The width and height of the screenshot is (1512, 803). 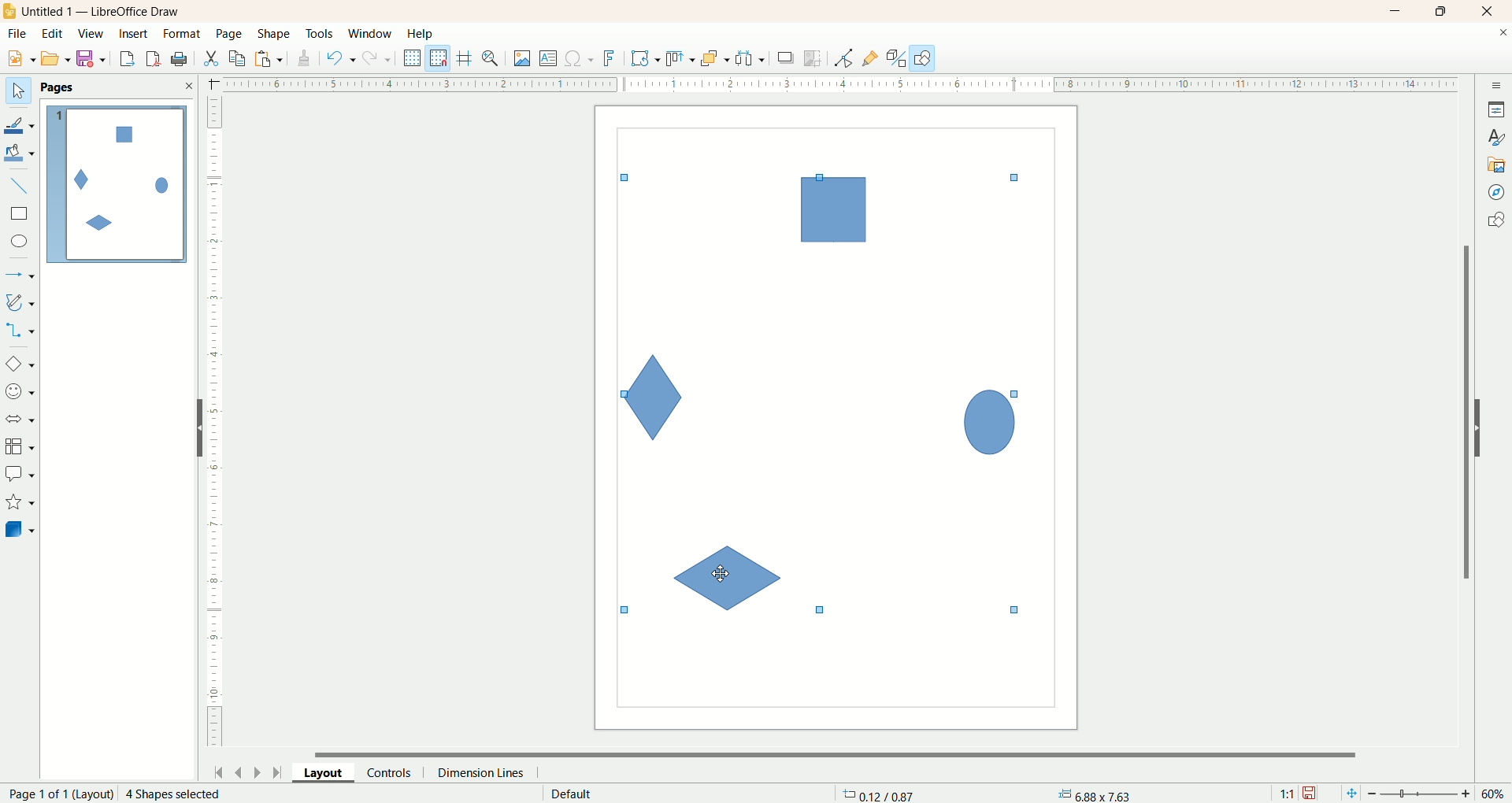 What do you see at coordinates (829, 83) in the screenshot?
I see `scale bar` at bounding box center [829, 83].